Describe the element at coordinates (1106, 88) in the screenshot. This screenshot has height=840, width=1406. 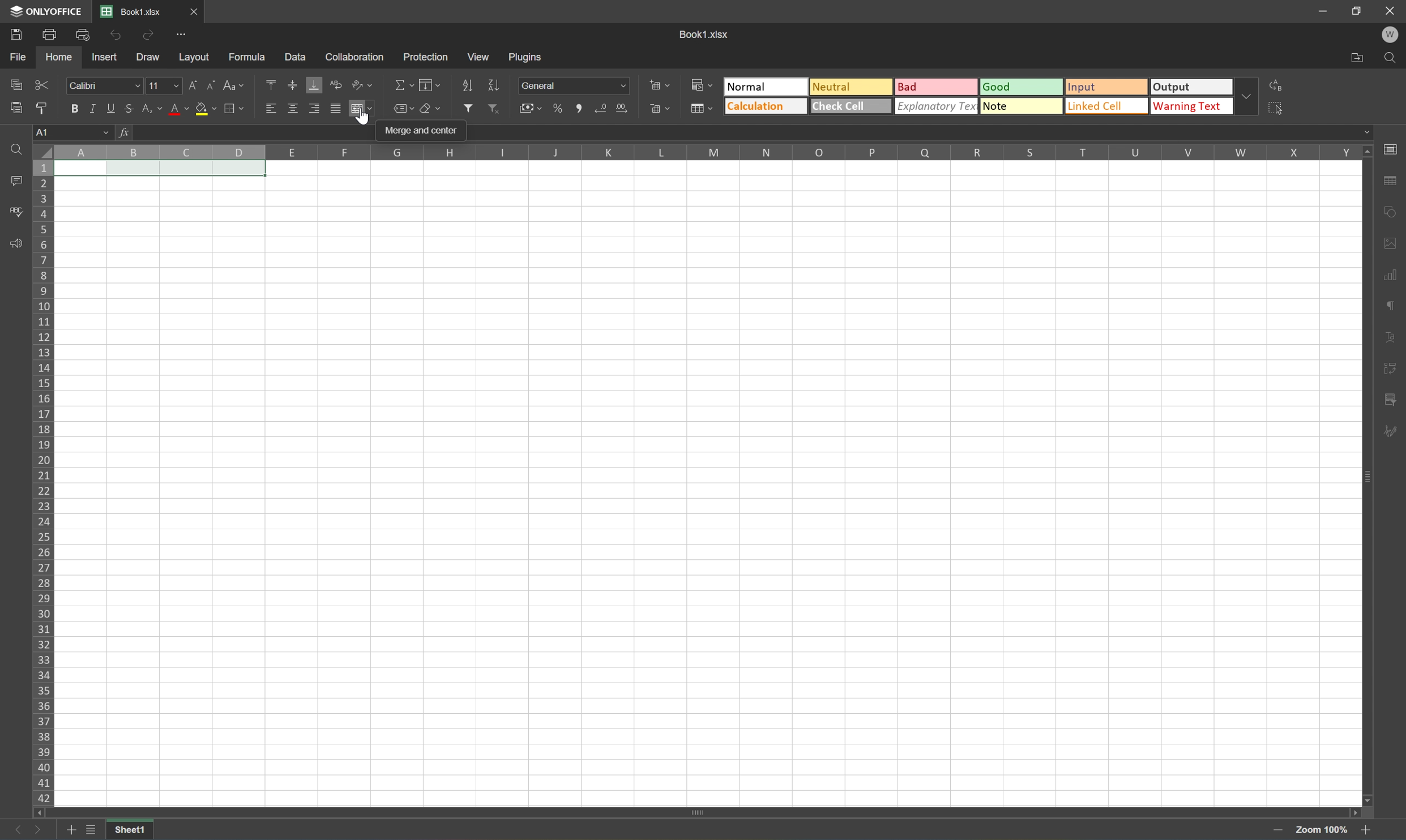
I see `Input` at that location.